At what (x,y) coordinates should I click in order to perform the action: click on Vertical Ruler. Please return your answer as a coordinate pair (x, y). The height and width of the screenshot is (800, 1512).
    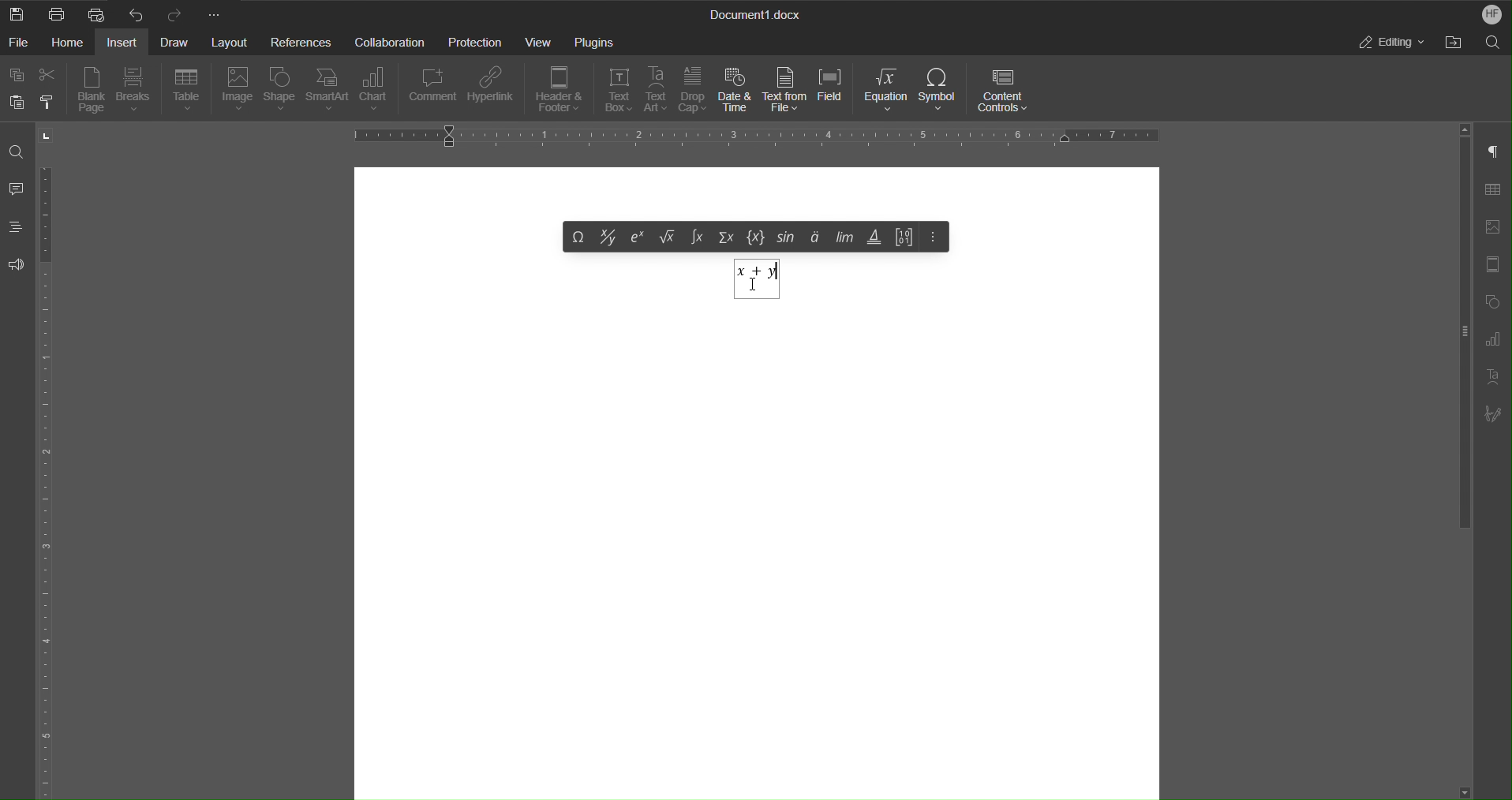
    Looking at the image, I should click on (42, 480).